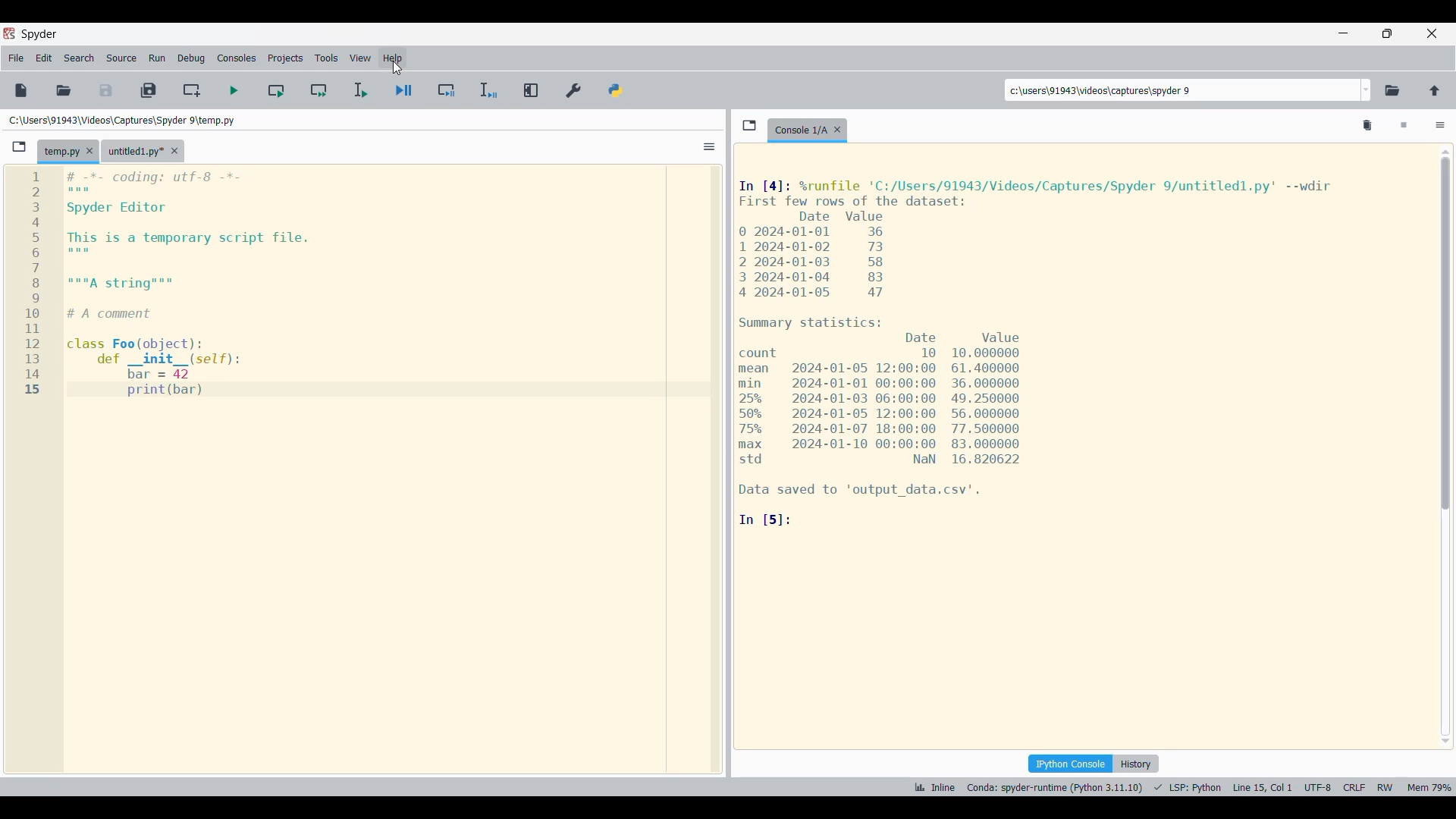  What do you see at coordinates (1432, 33) in the screenshot?
I see `Close interface` at bounding box center [1432, 33].